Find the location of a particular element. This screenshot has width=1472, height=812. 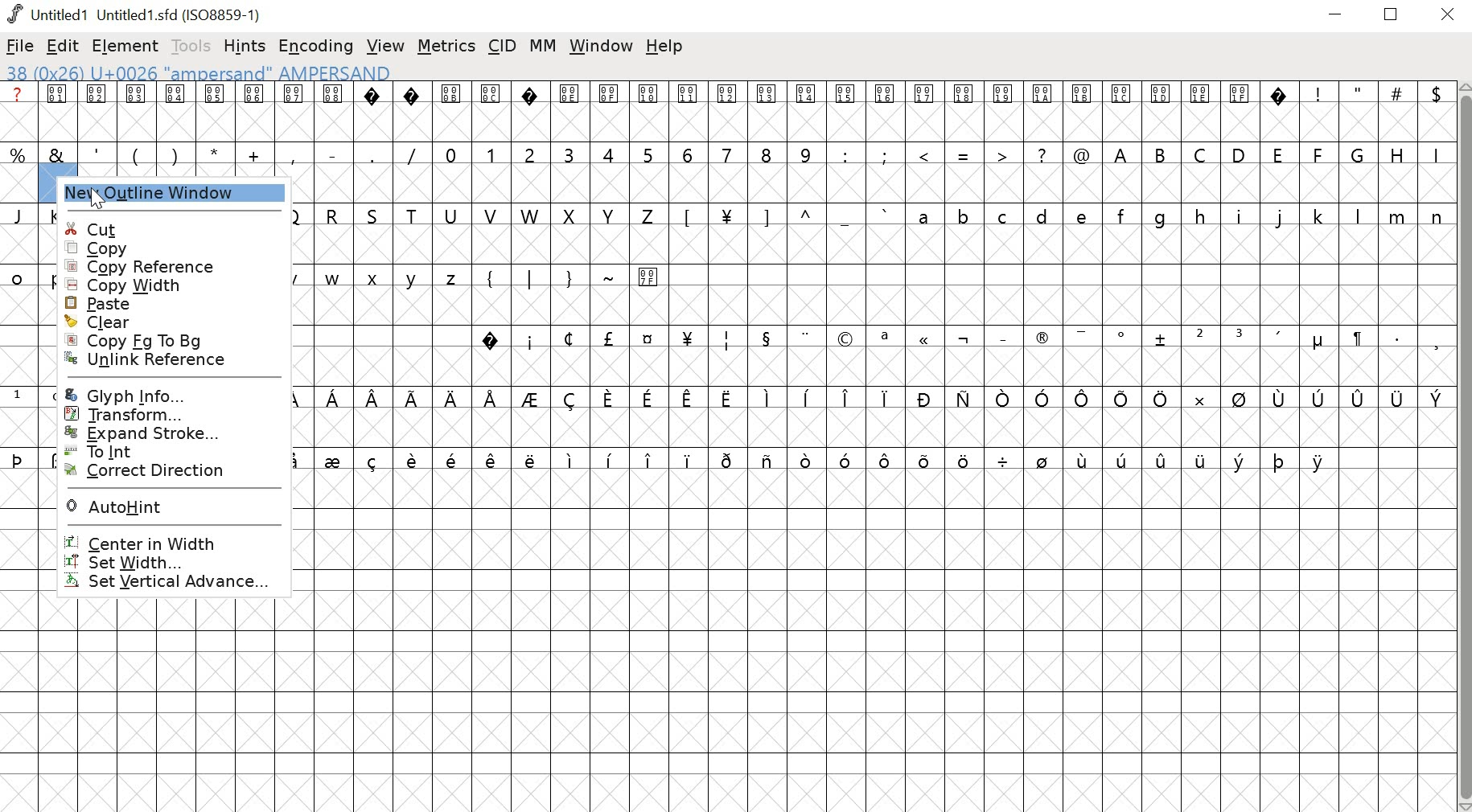

0015 is located at coordinates (846, 113).